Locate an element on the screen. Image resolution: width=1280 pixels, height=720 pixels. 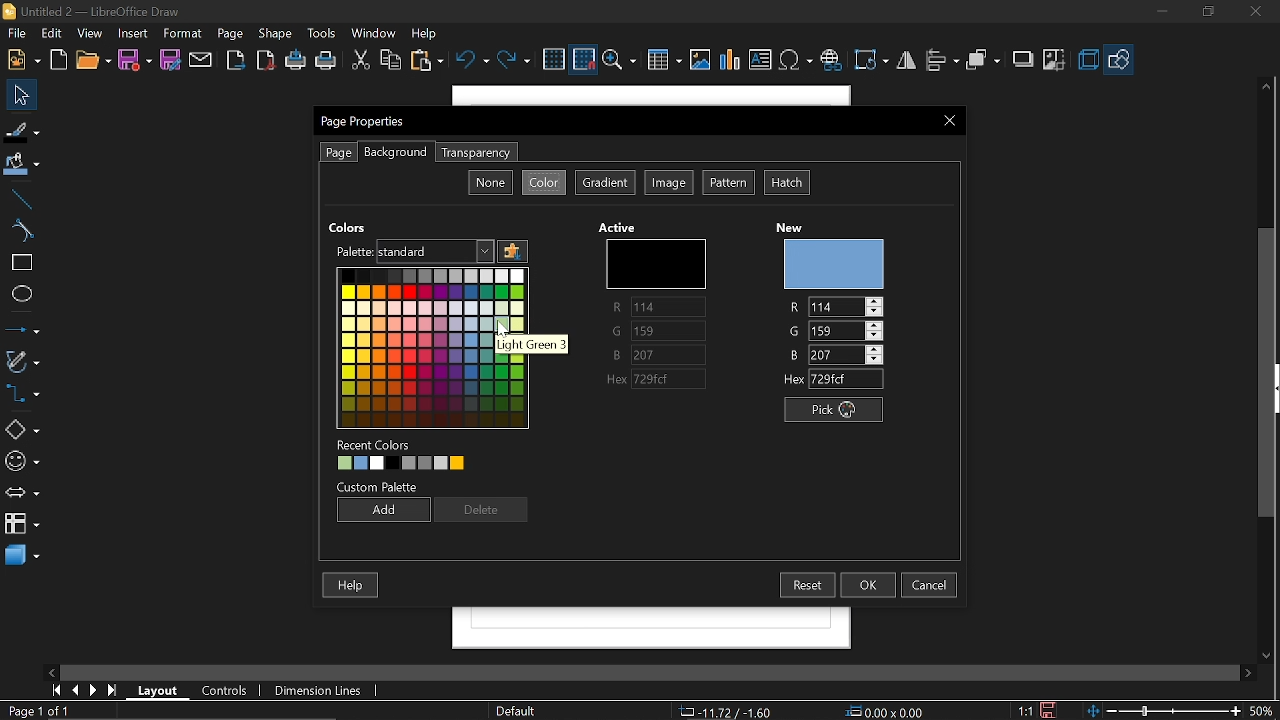
Colors is located at coordinates (349, 226).